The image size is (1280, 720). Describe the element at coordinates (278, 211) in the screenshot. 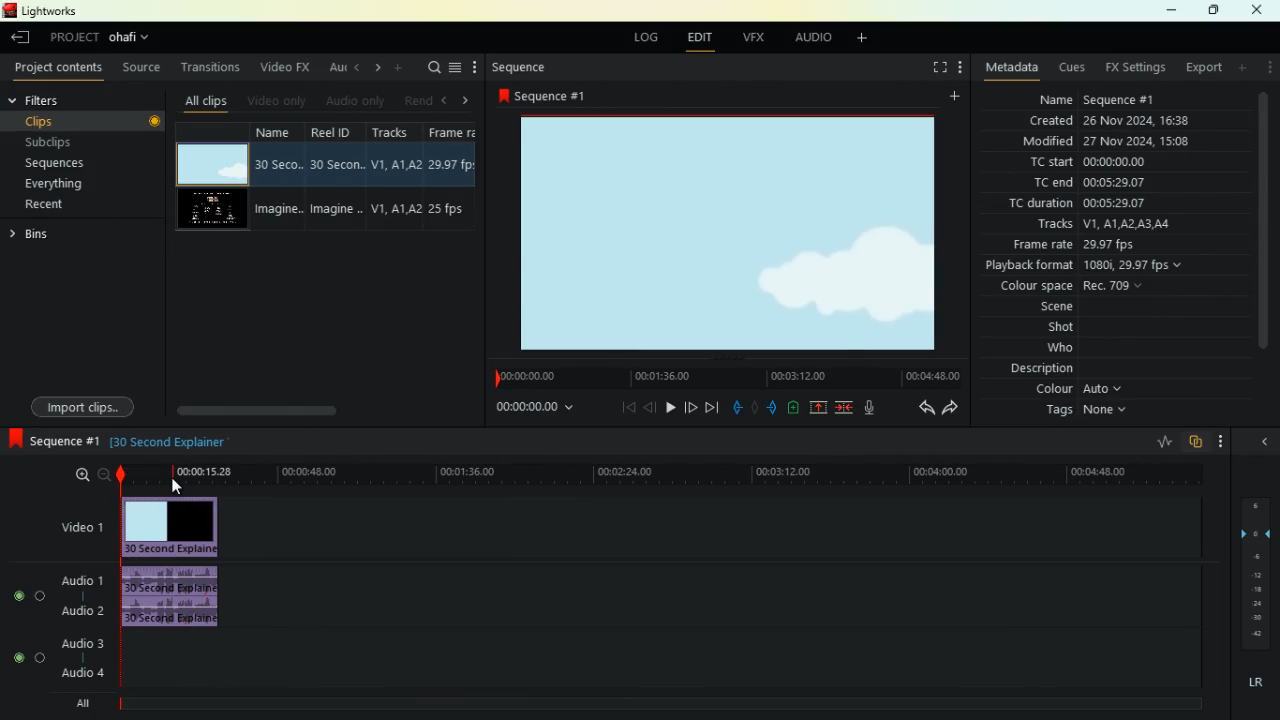

I see `imagine..` at that location.